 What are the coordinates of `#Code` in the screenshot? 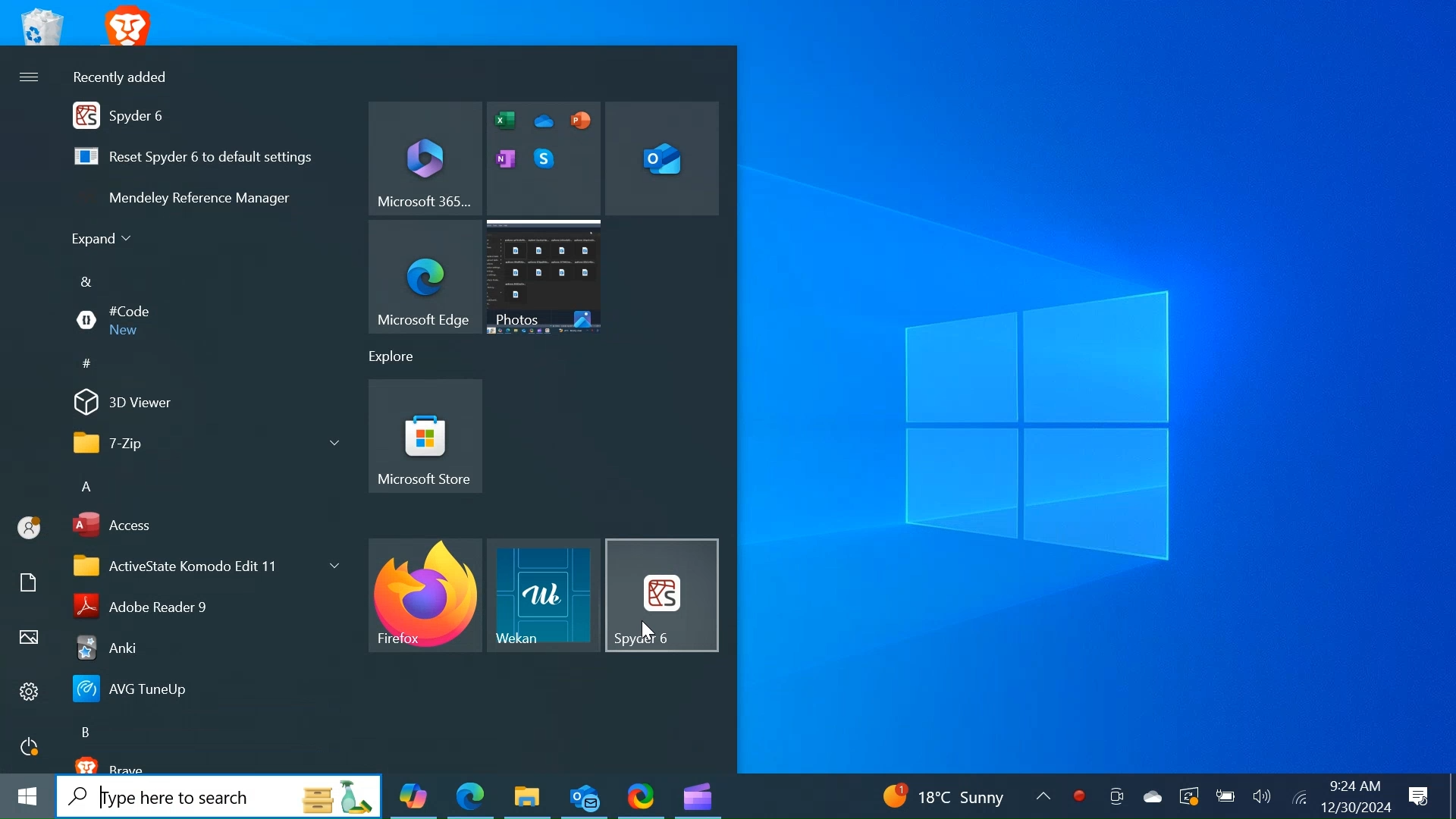 It's located at (201, 320).